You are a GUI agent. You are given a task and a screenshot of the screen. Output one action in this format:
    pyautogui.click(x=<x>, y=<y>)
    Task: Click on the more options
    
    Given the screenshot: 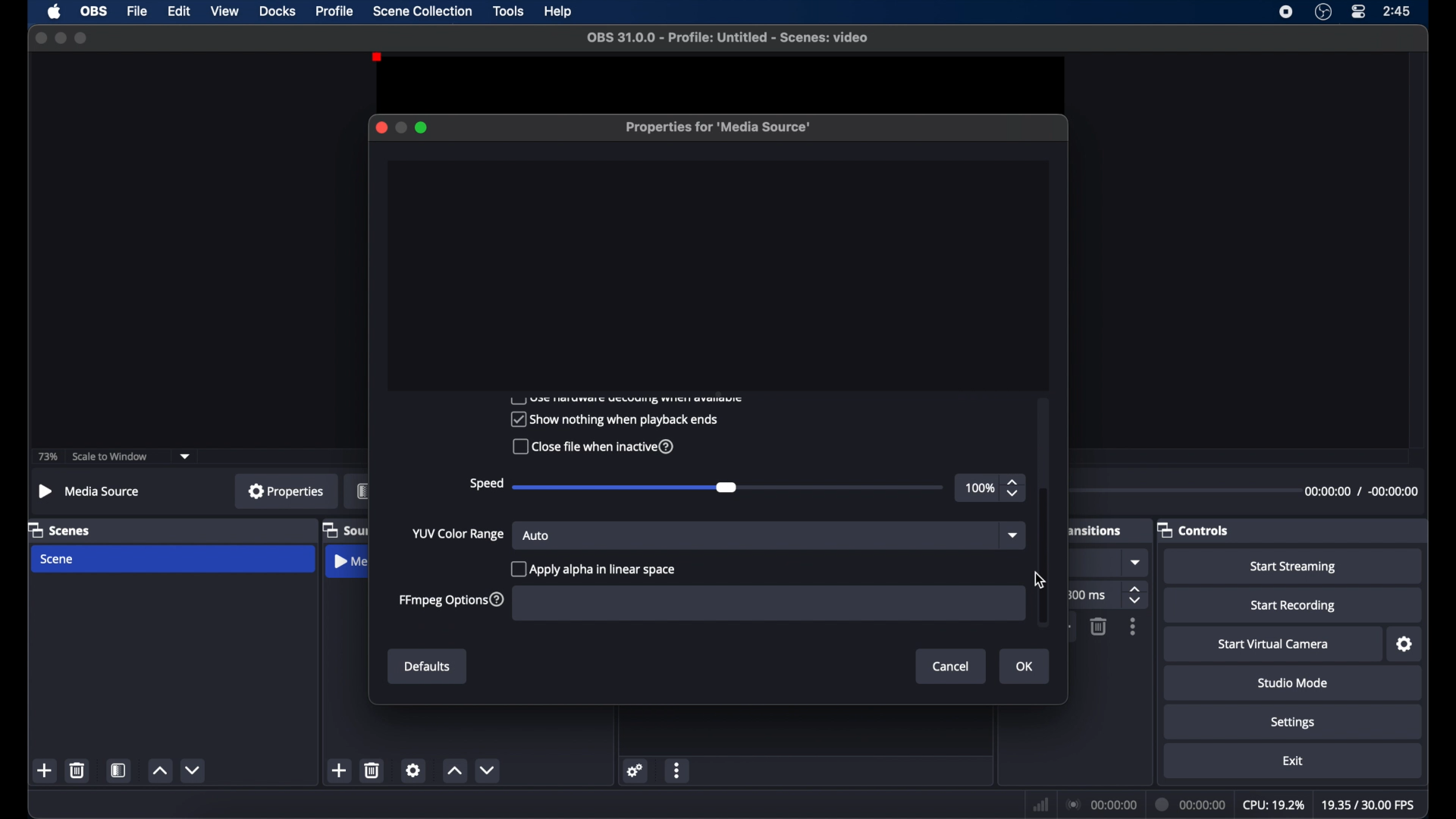 What is the action you would take?
    pyautogui.click(x=1134, y=627)
    